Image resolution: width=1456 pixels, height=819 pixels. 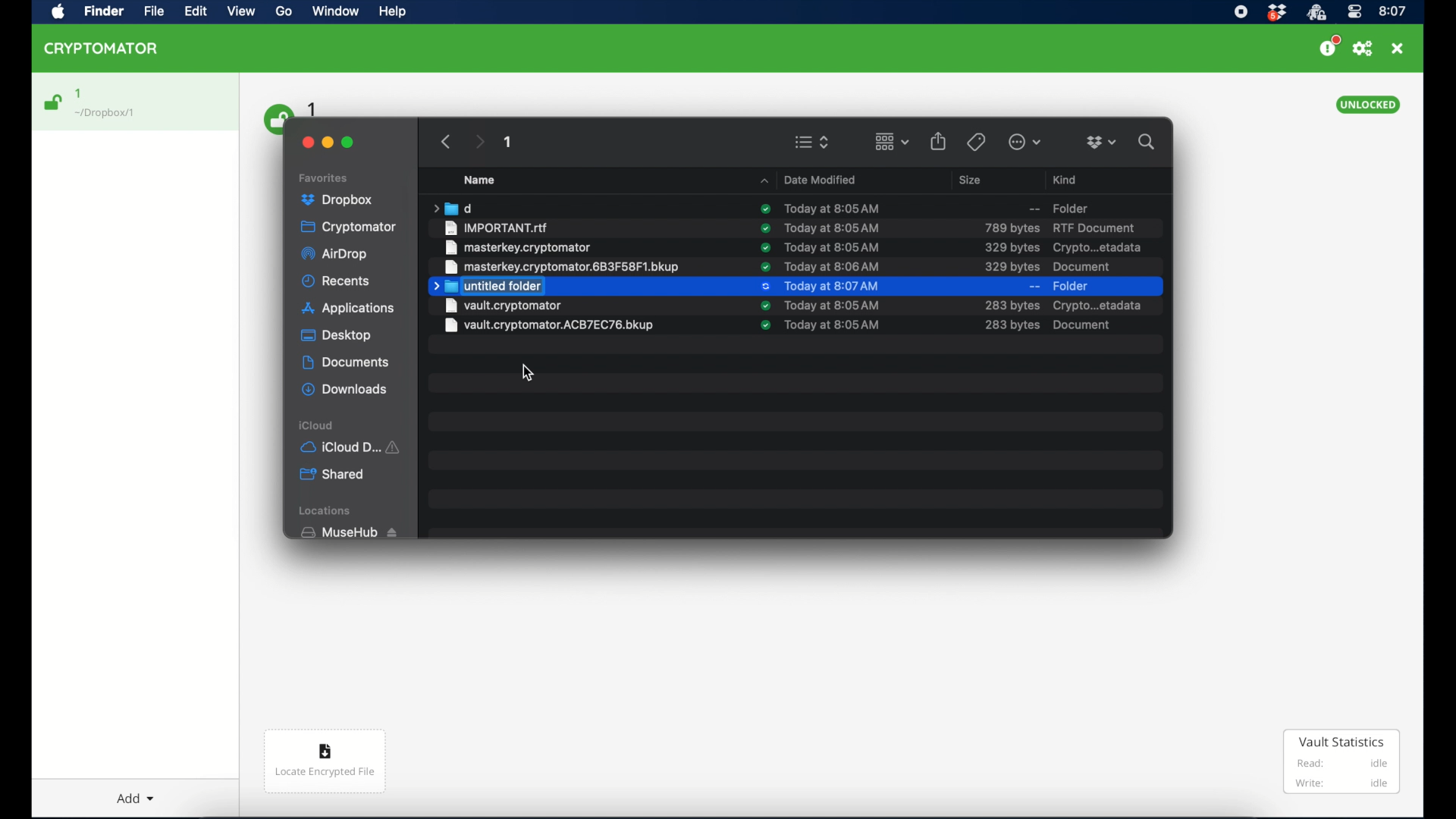 What do you see at coordinates (197, 12) in the screenshot?
I see `Edit` at bounding box center [197, 12].